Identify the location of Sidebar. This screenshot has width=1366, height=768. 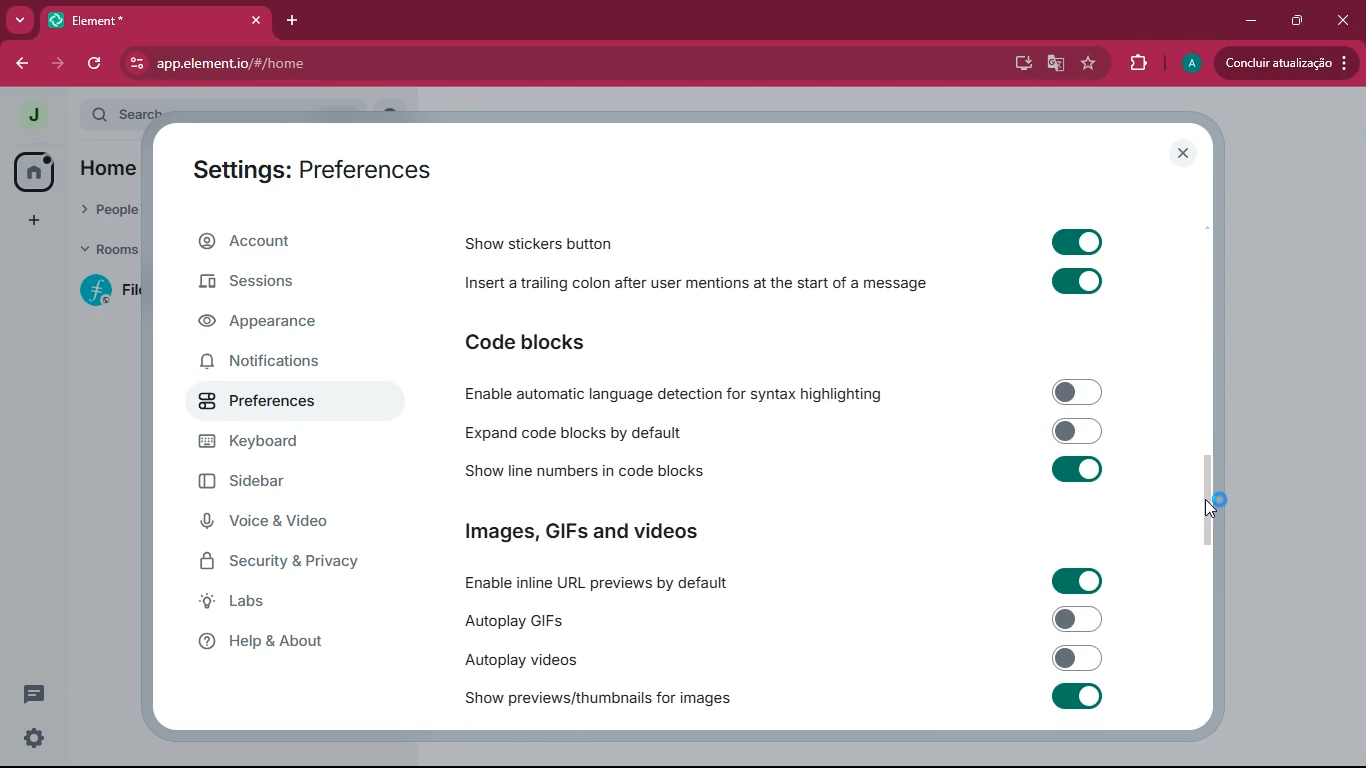
(254, 480).